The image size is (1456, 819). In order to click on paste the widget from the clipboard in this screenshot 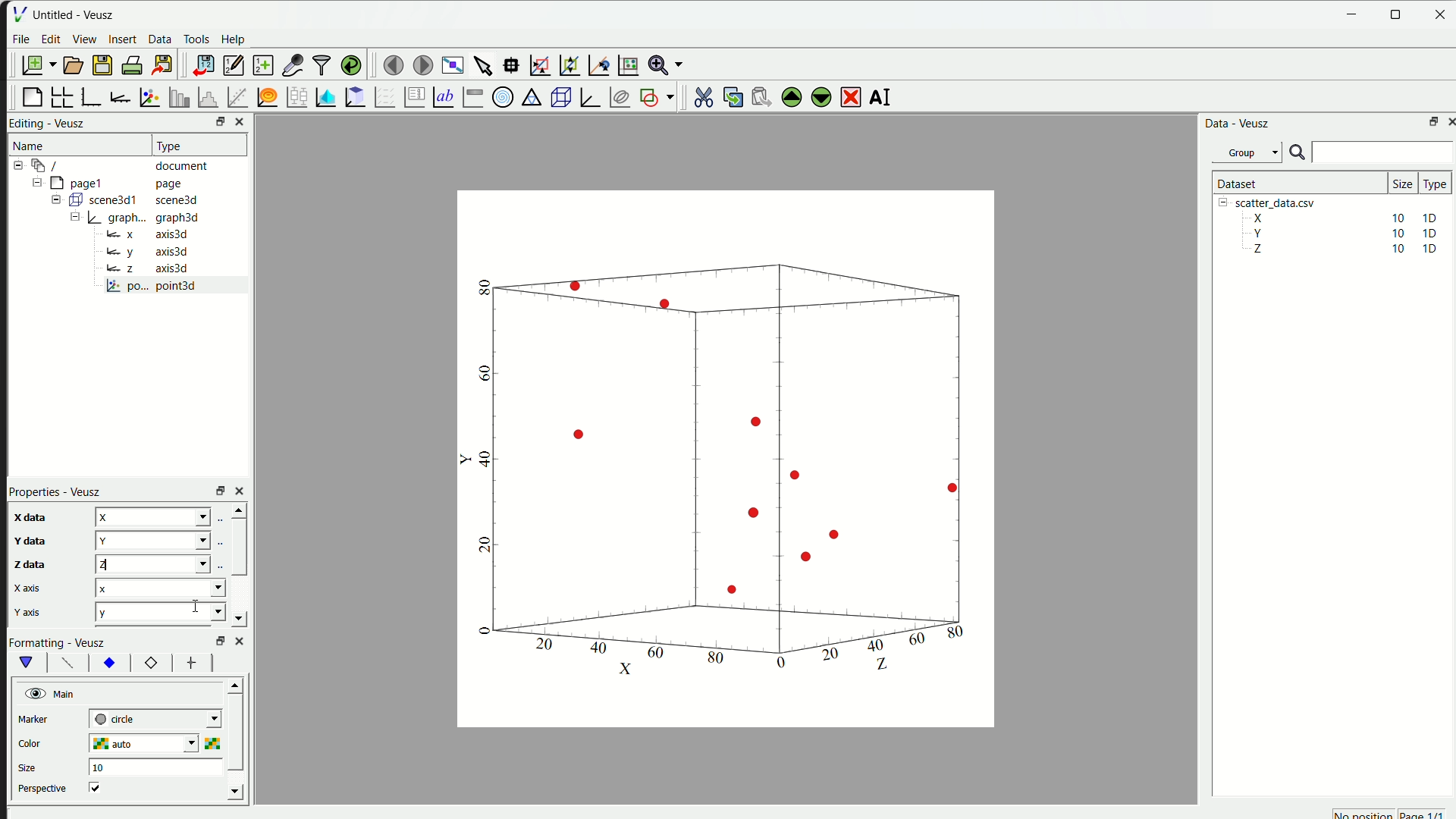, I will do `click(756, 97)`.